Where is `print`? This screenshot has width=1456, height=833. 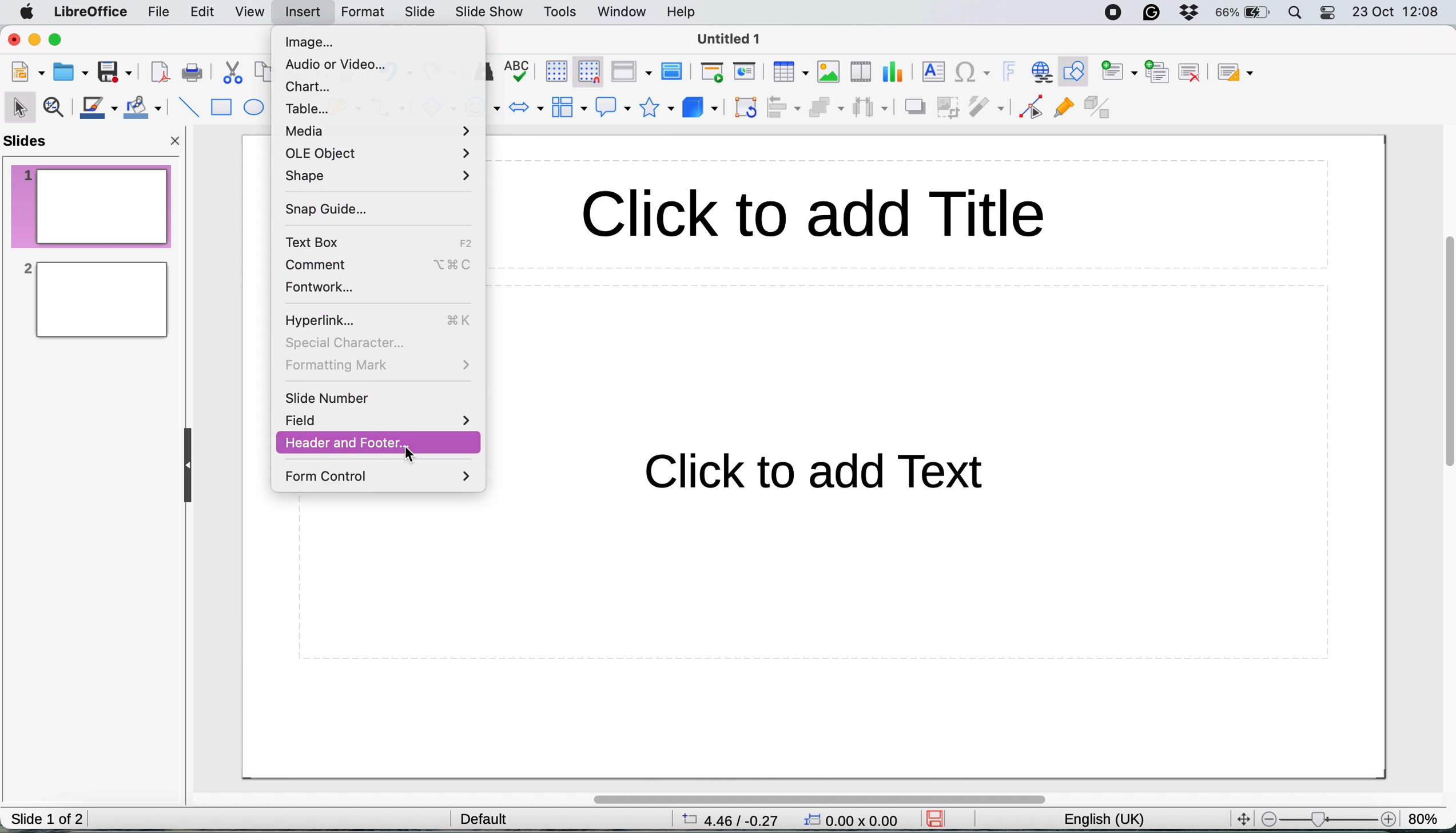 print is located at coordinates (192, 73).